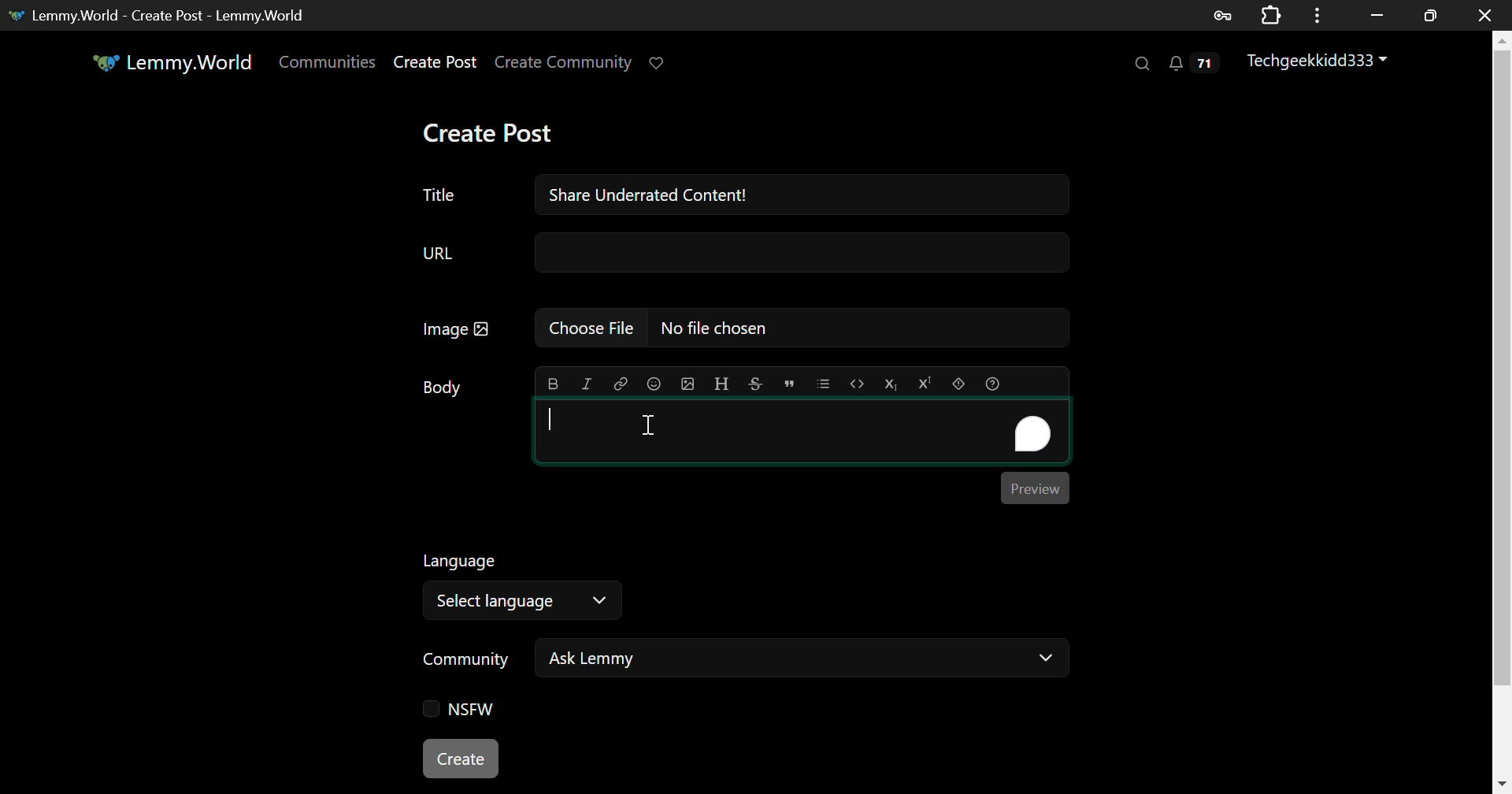 This screenshot has height=794, width=1512. What do you see at coordinates (435, 64) in the screenshot?
I see `Create Post` at bounding box center [435, 64].